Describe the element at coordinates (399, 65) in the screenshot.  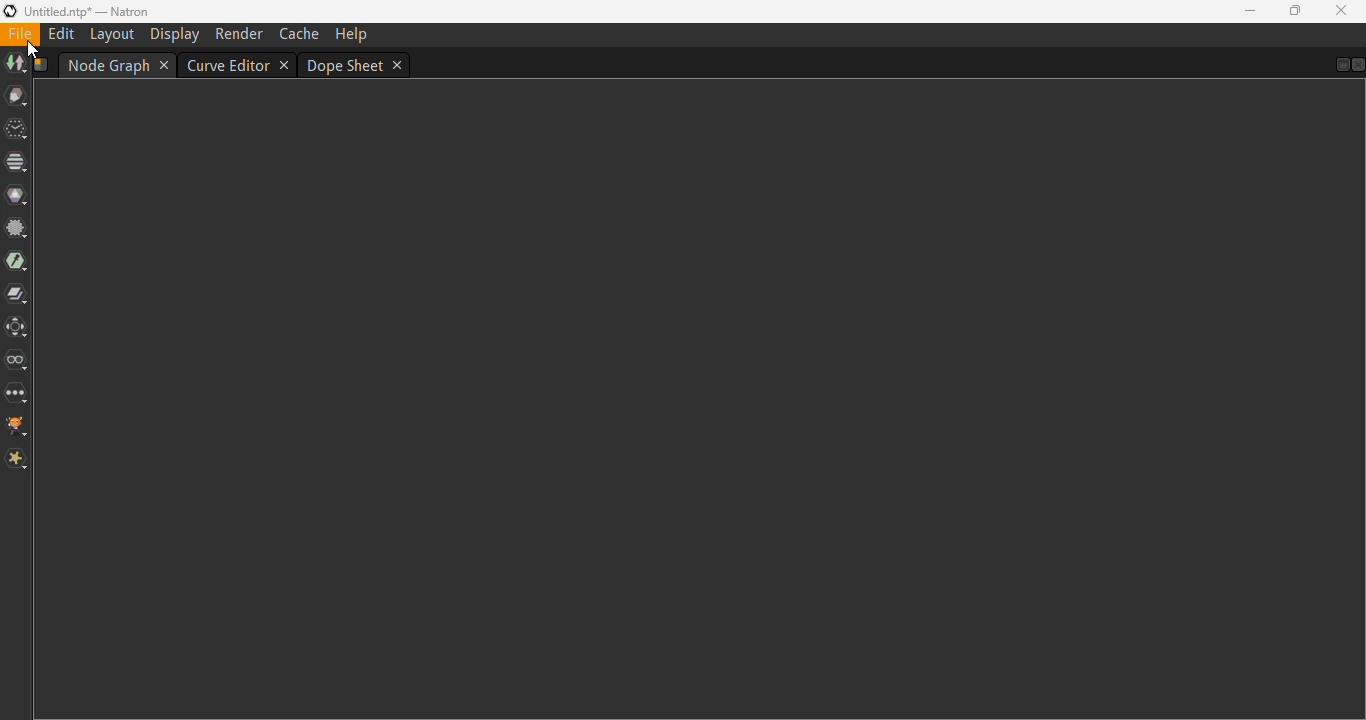
I see `close tab` at that location.